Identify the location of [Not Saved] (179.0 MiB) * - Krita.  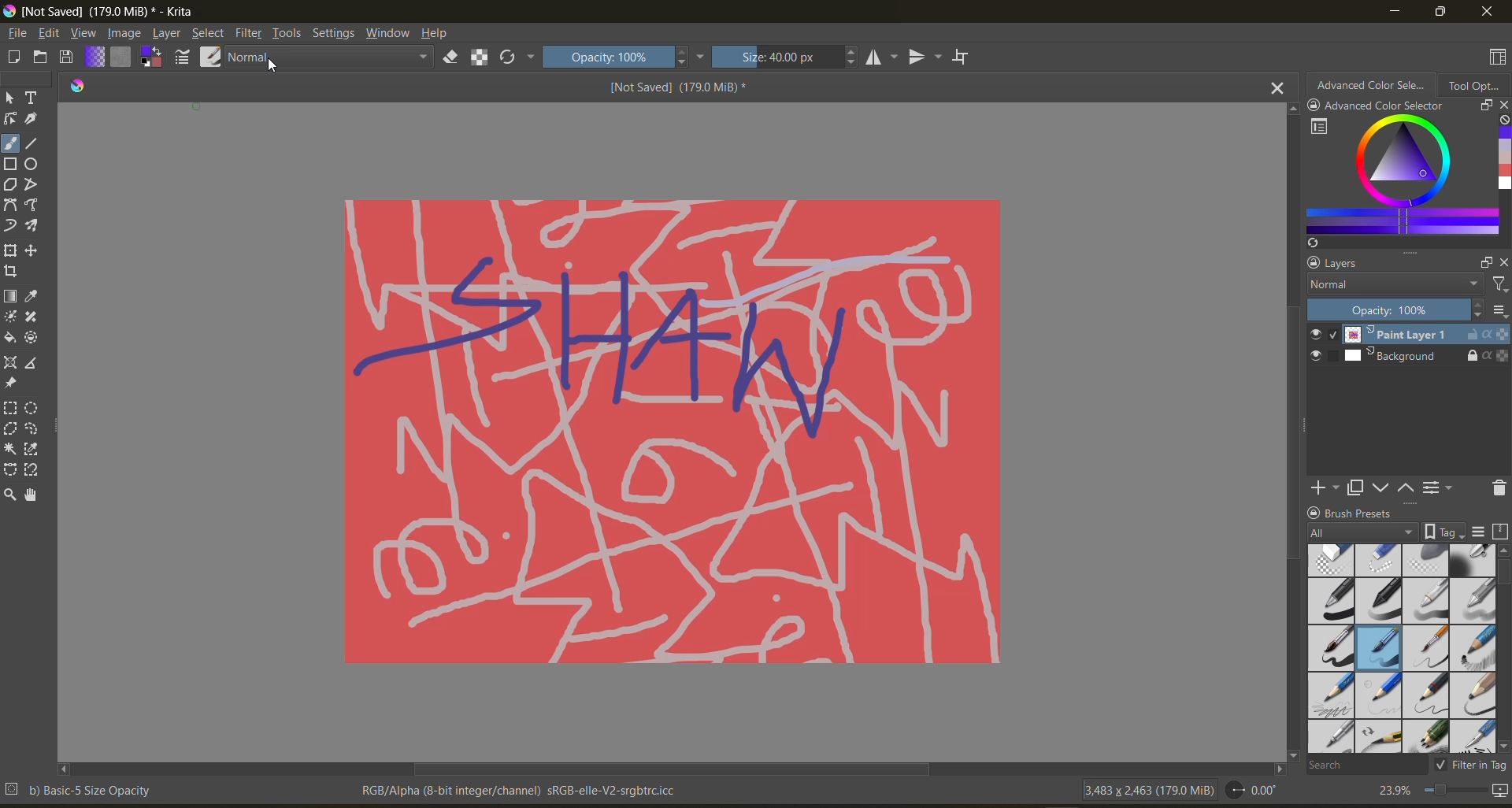
(100, 10).